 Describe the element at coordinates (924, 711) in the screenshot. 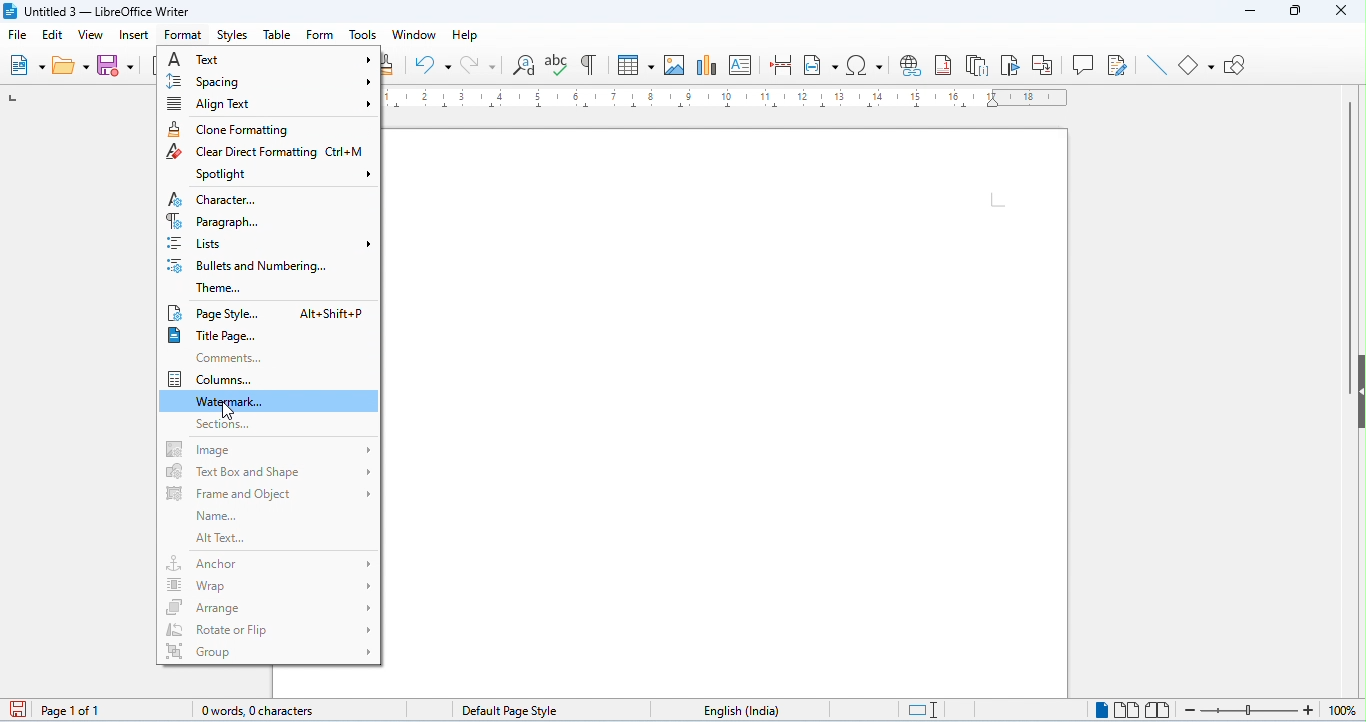

I see `standard selection` at that location.